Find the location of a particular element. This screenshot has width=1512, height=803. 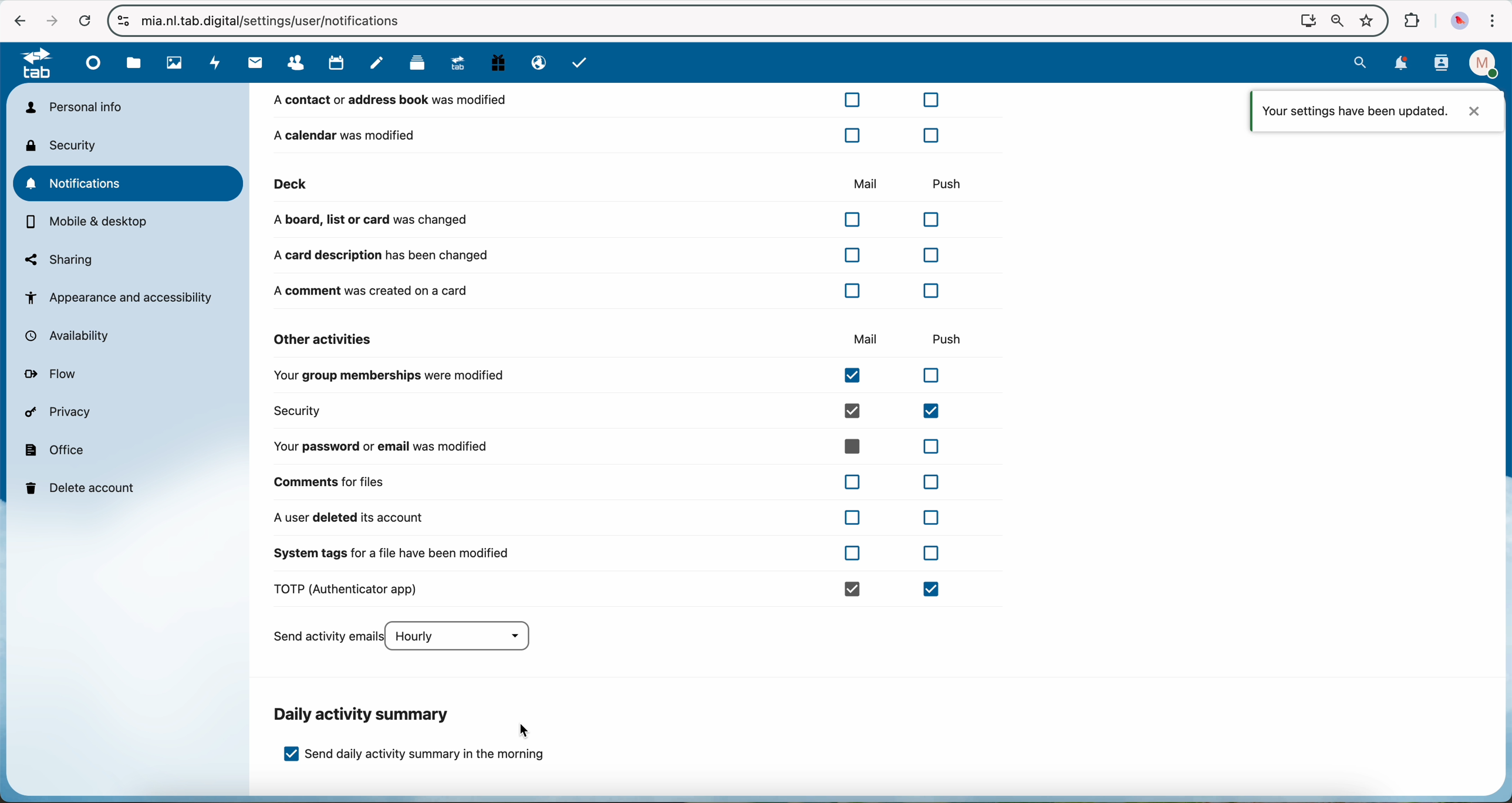

free trial PC is located at coordinates (500, 65).